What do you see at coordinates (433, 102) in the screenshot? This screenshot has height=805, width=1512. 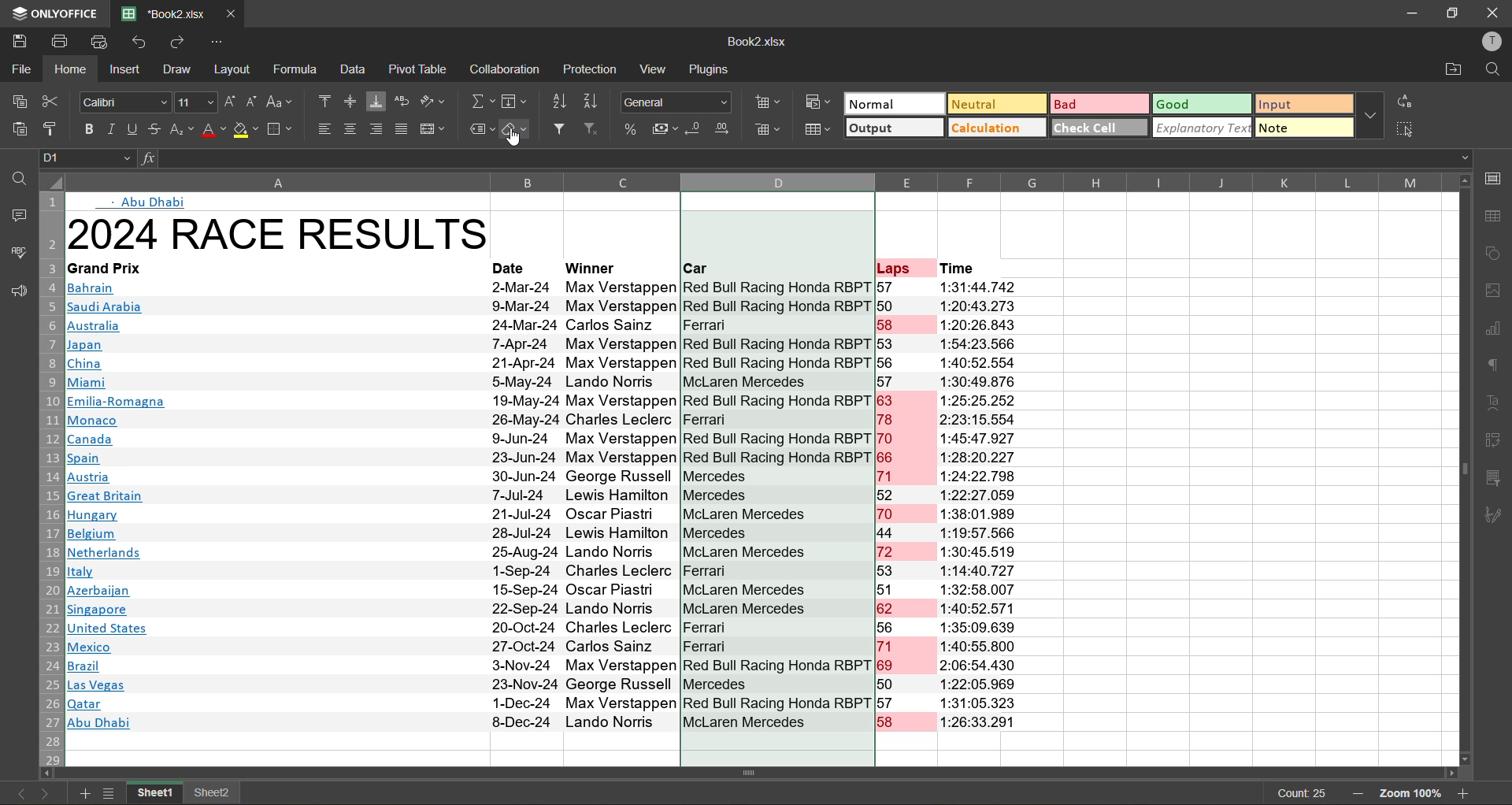 I see `orientation` at bounding box center [433, 102].